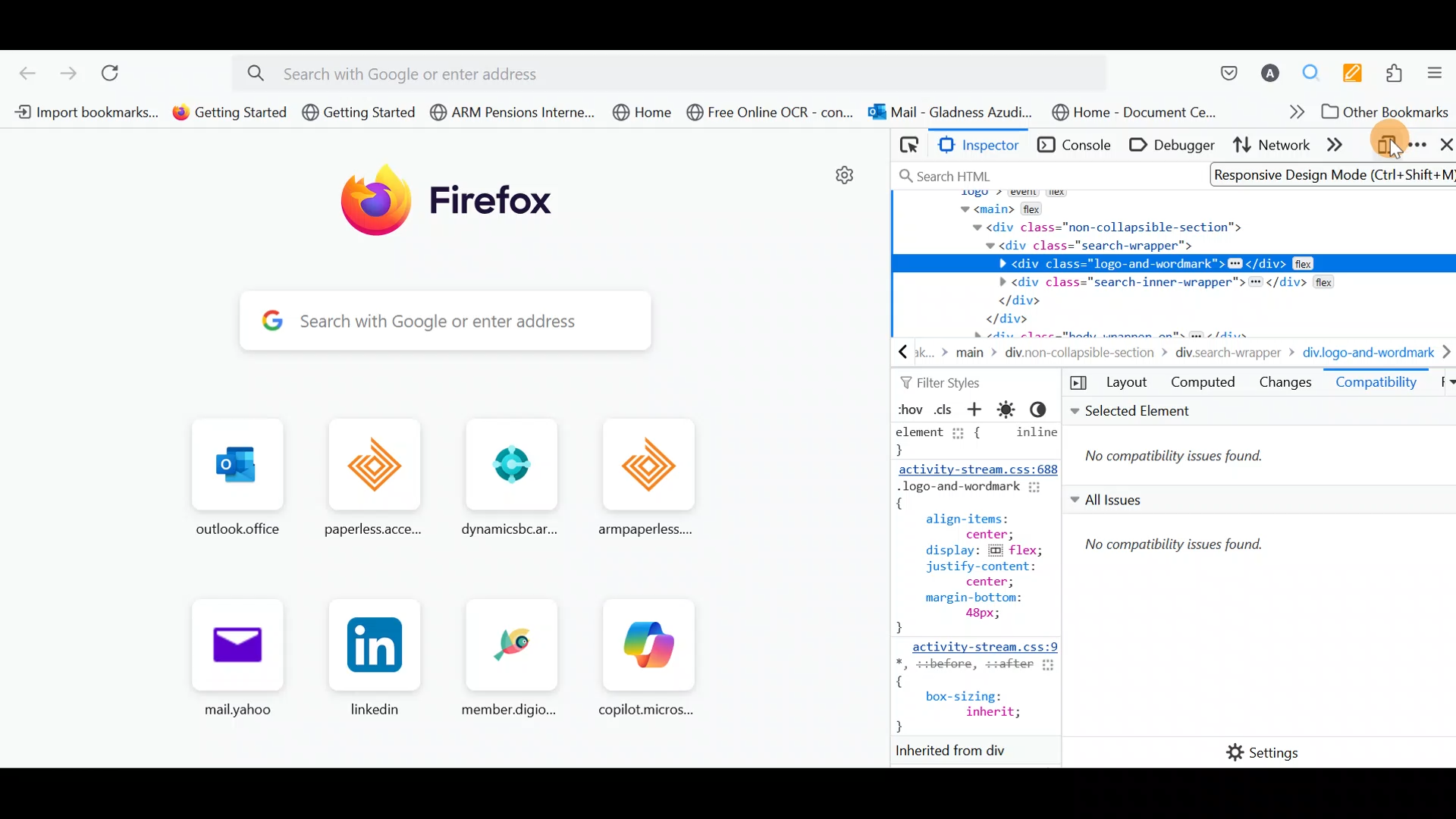 This screenshot has width=1456, height=819. I want to click on HTML code, so click(1175, 264).